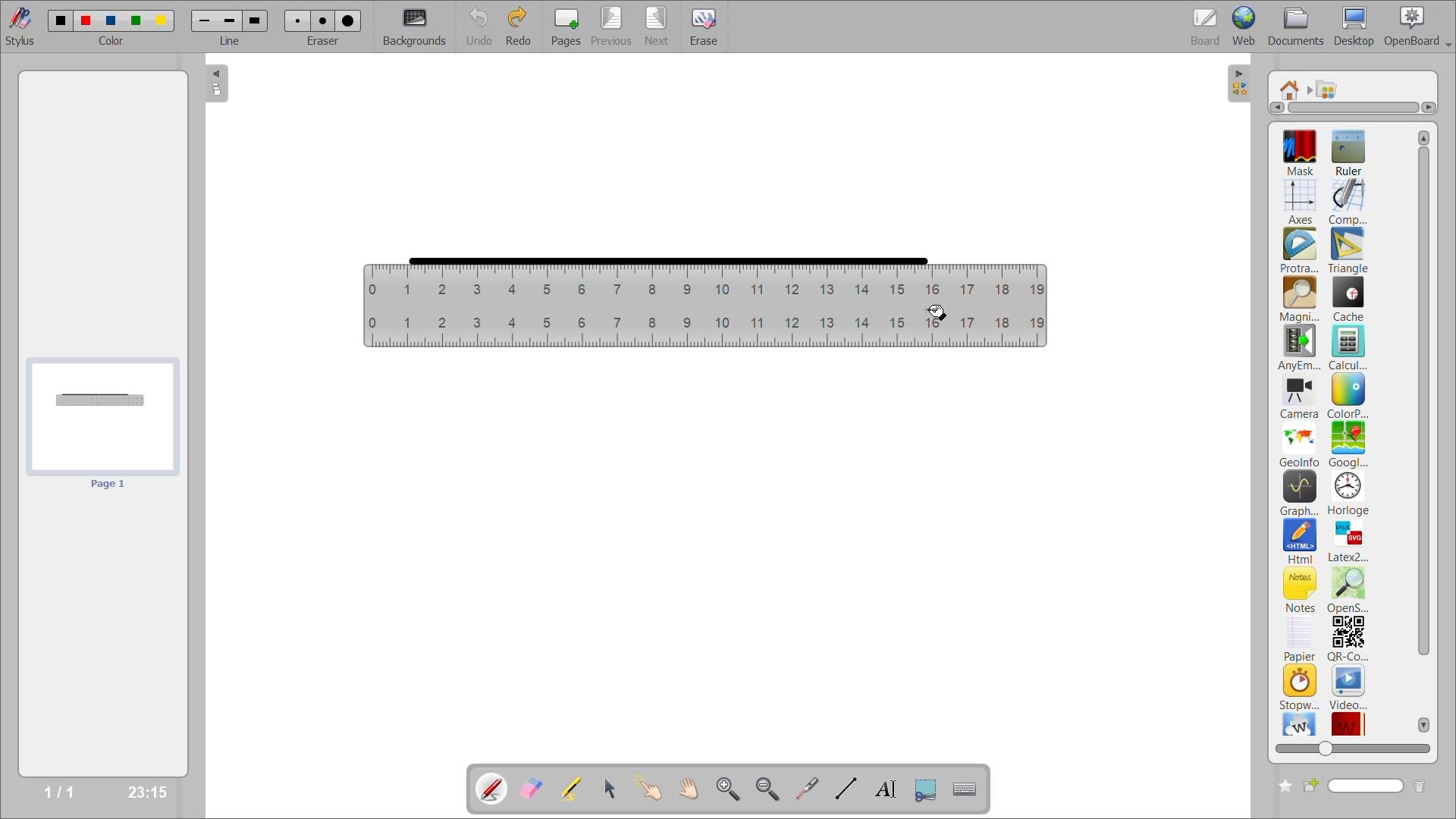 The width and height of the screenshot is (1456, 819). Describe the element at coordinates (570, 24) in the screenshot. I see `pages` at that location.